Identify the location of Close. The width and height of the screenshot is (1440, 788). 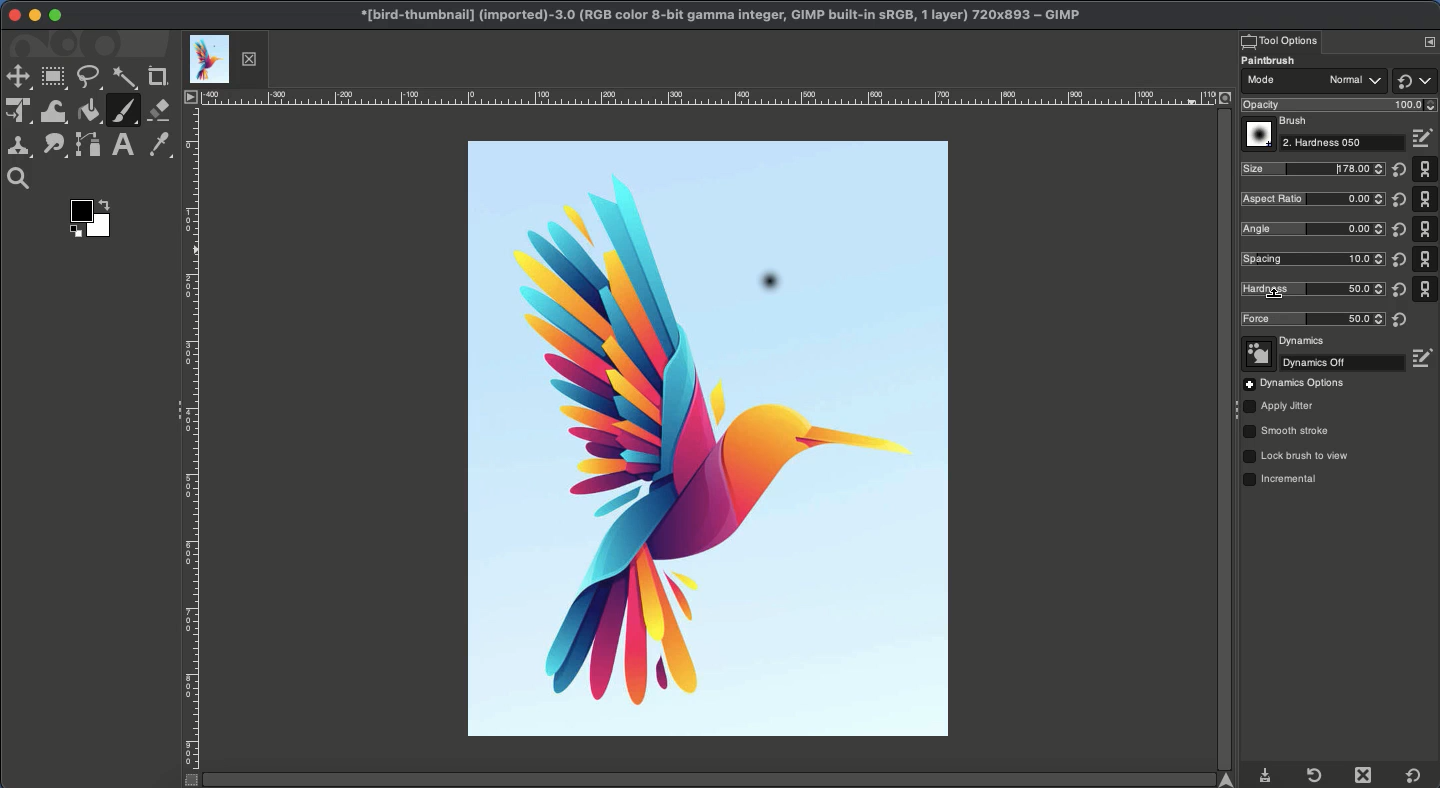
(15, 16).